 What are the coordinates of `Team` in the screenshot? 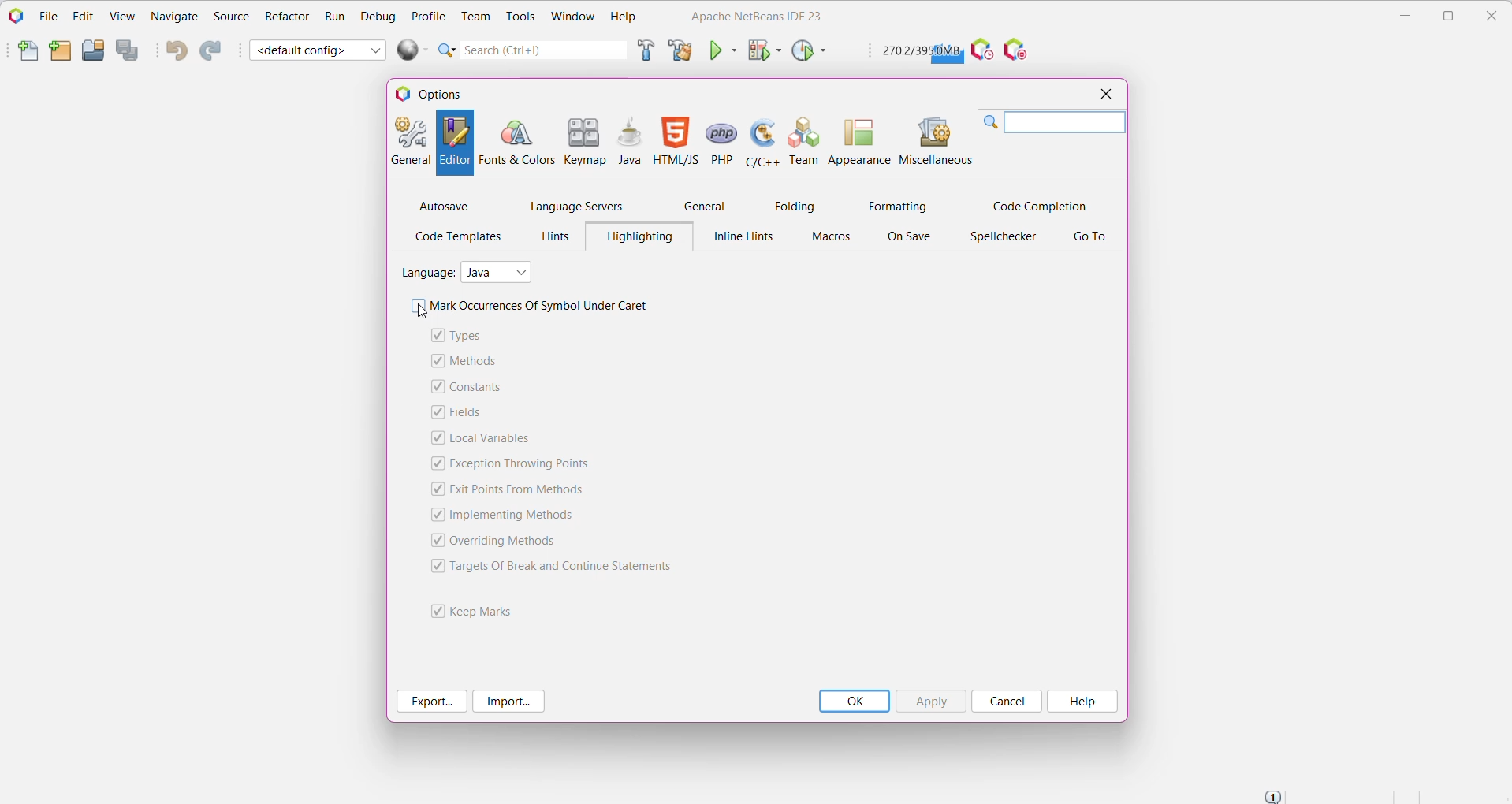 It's located at (474, 16).